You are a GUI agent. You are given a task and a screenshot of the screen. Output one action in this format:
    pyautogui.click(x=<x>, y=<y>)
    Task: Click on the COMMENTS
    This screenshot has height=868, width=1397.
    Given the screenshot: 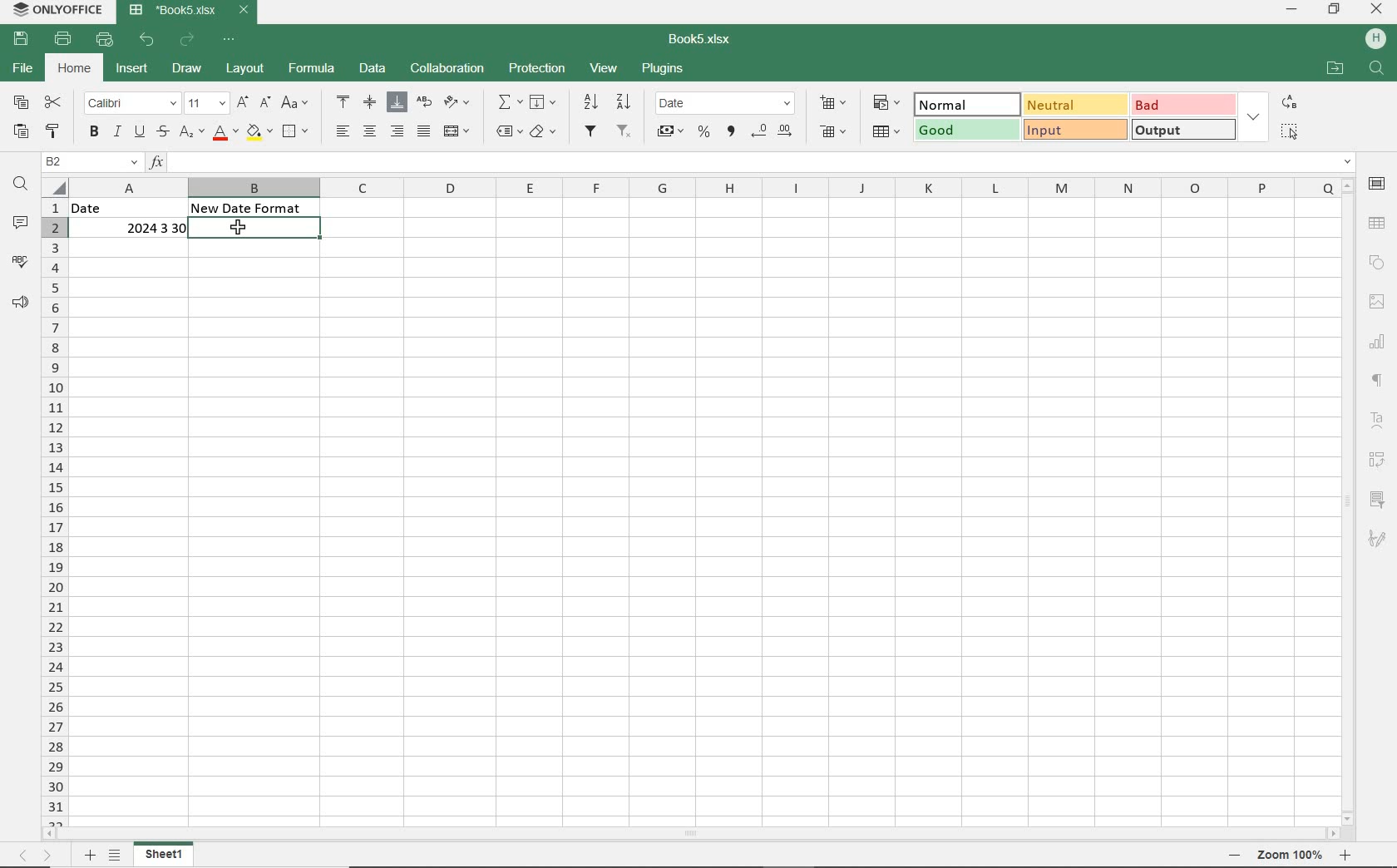 What is the action you would take?
    pyautogui.click(x=21, y=222)
    